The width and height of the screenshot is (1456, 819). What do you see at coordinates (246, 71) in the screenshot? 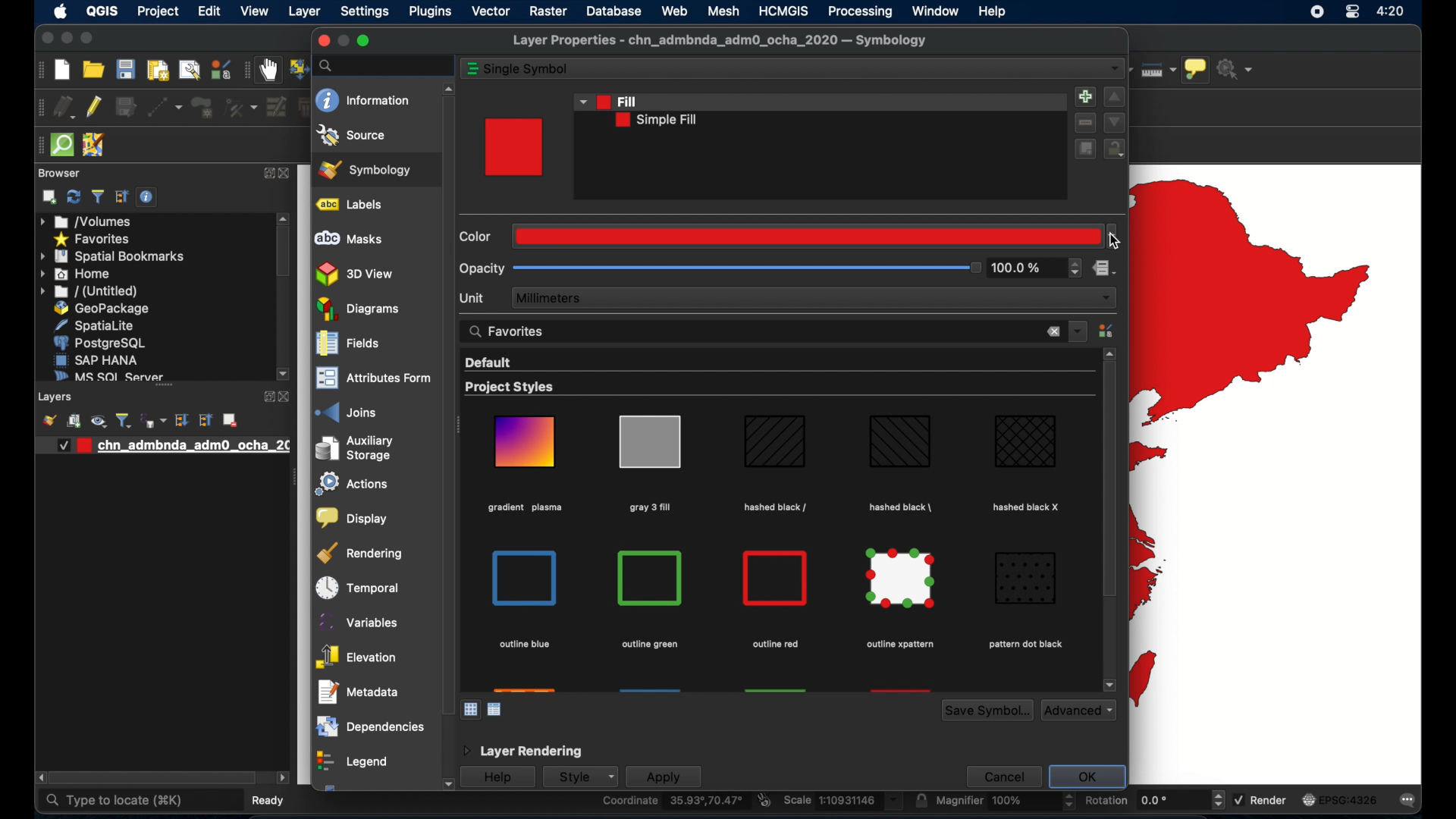
I see `map navigation toolbar` at bounding box center [246, 71].